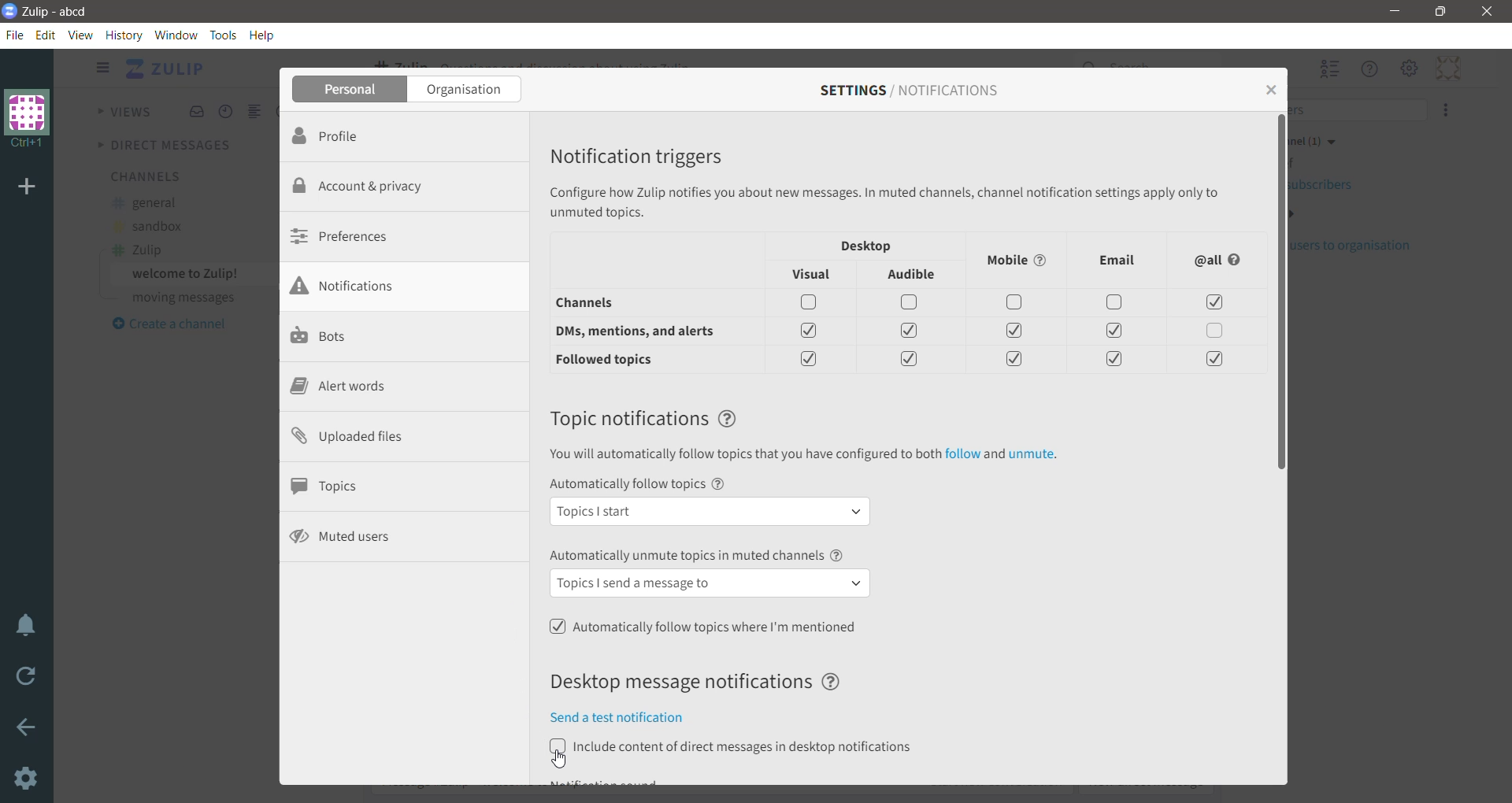 Image resolution: width=1512 pixels, height=803 pixels. I want to click on Uploaded files, so click(360, 438).